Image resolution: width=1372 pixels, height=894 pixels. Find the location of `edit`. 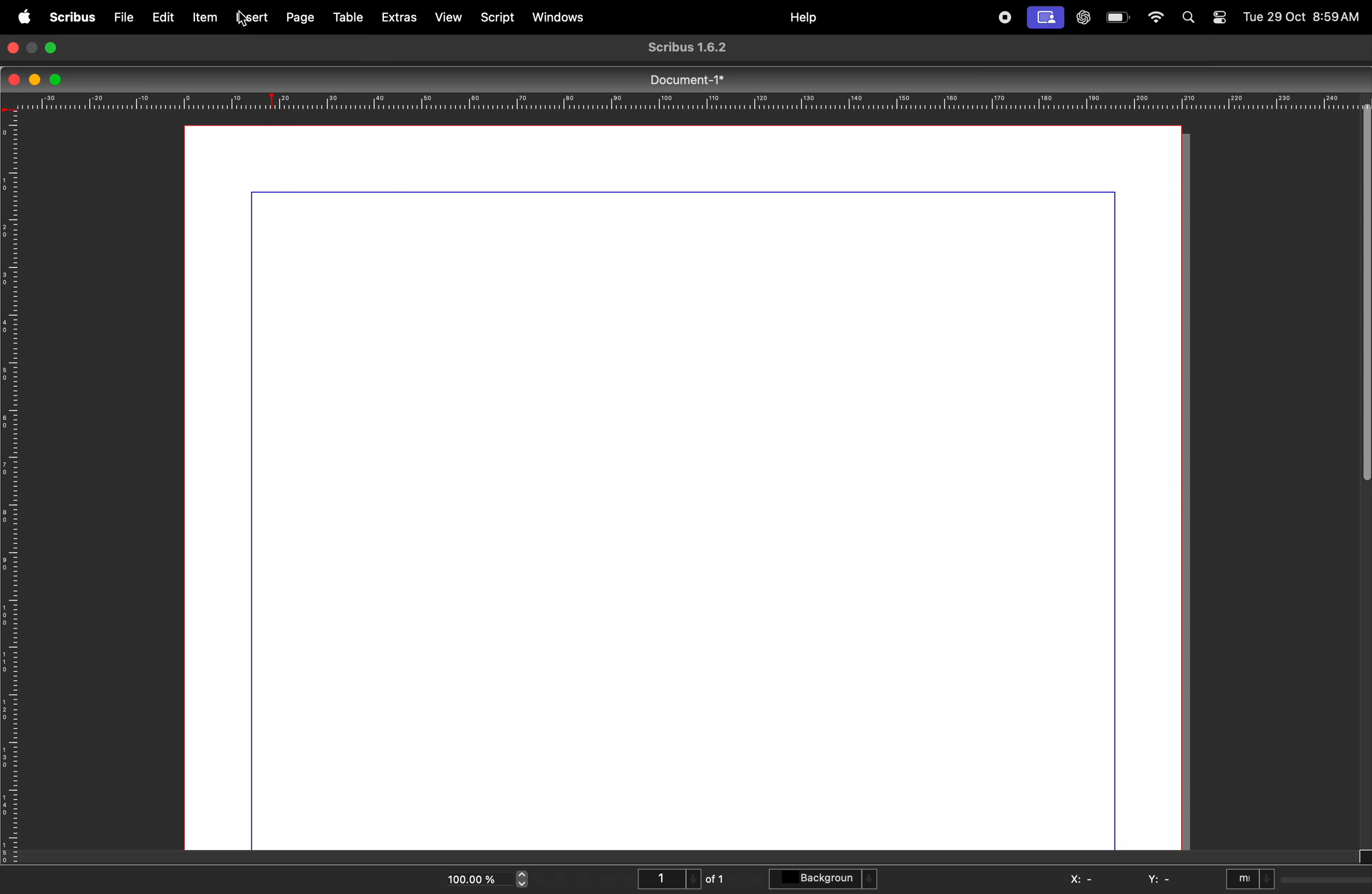

edit is located at coordinates (163, 16).